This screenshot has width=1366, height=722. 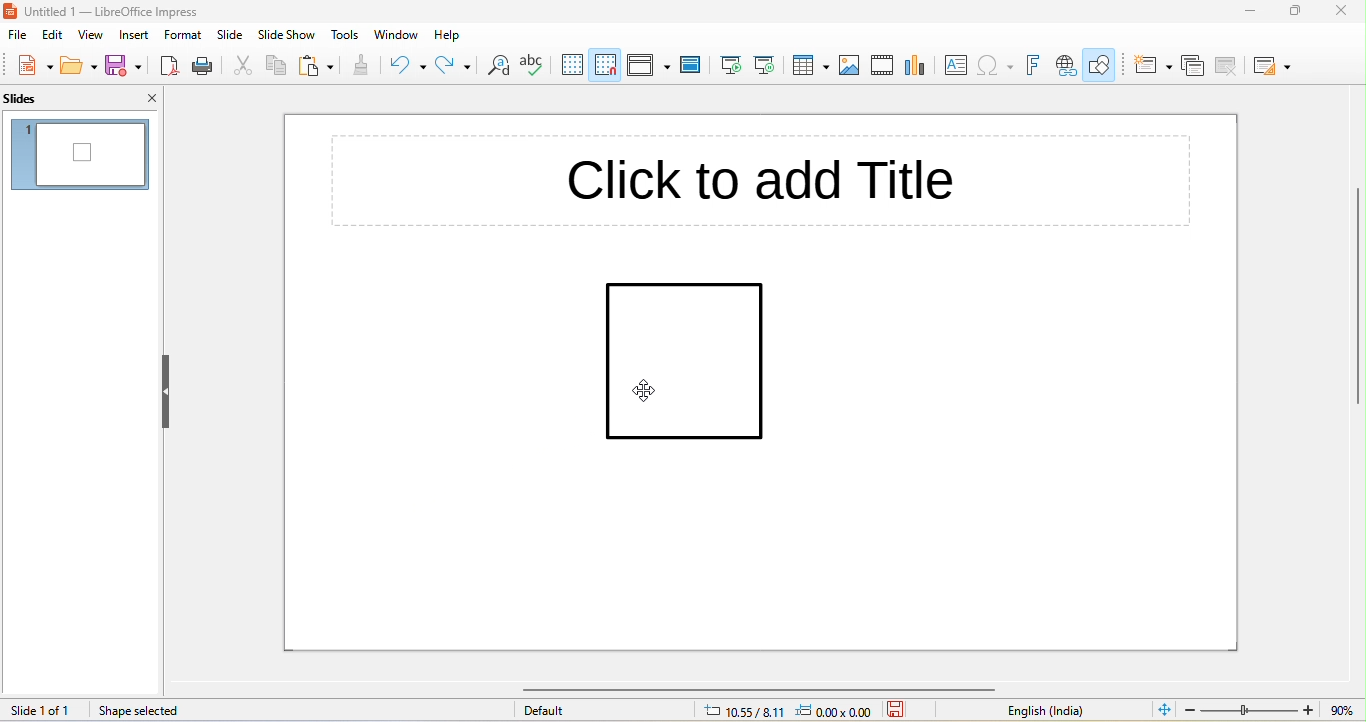 I want to click on horizontal scroll, so click(x=741, y=689).